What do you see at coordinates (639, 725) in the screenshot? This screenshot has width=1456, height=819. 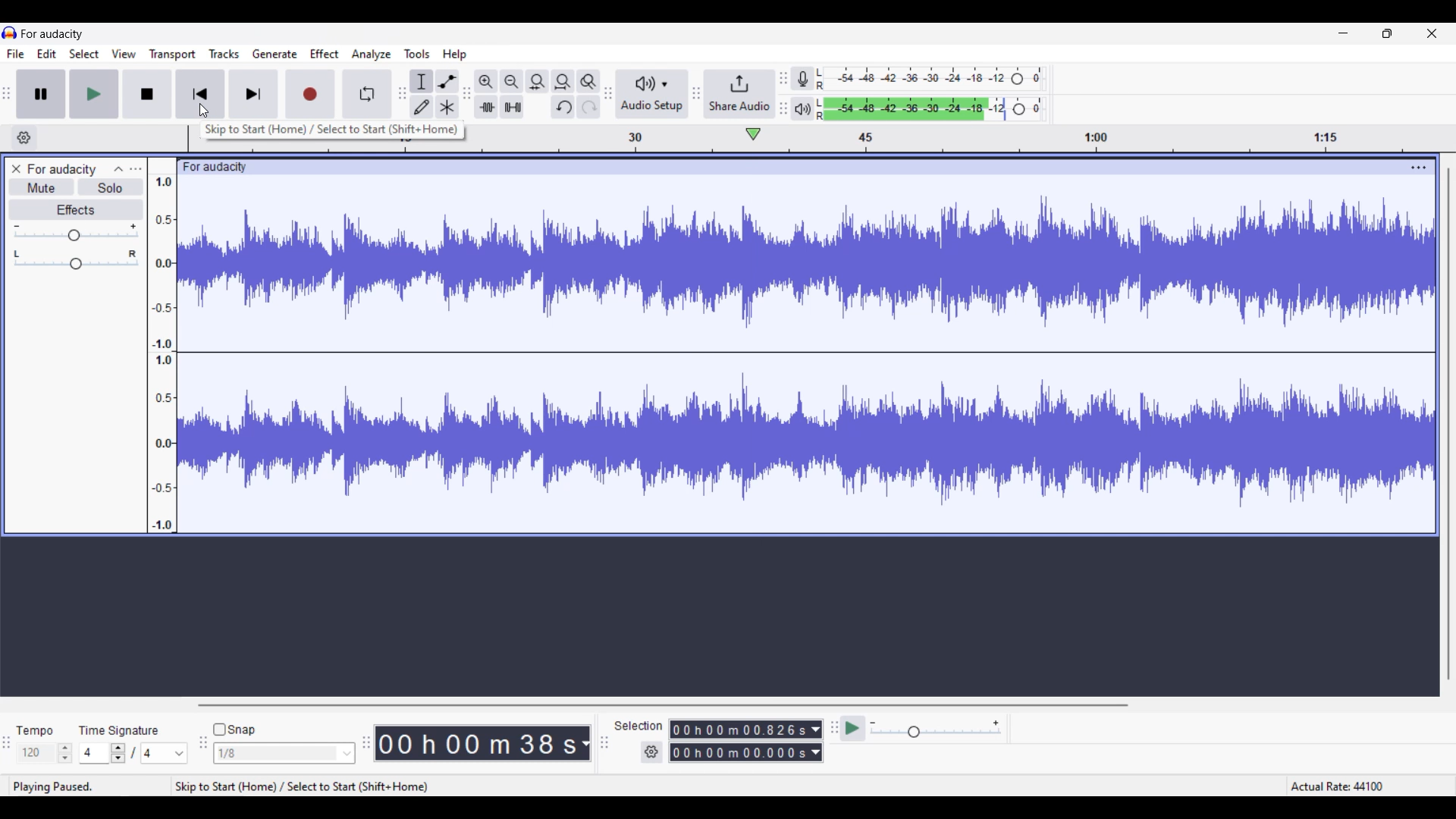 I see `Indicates selection duration settings` at bounding box center [639, 725].